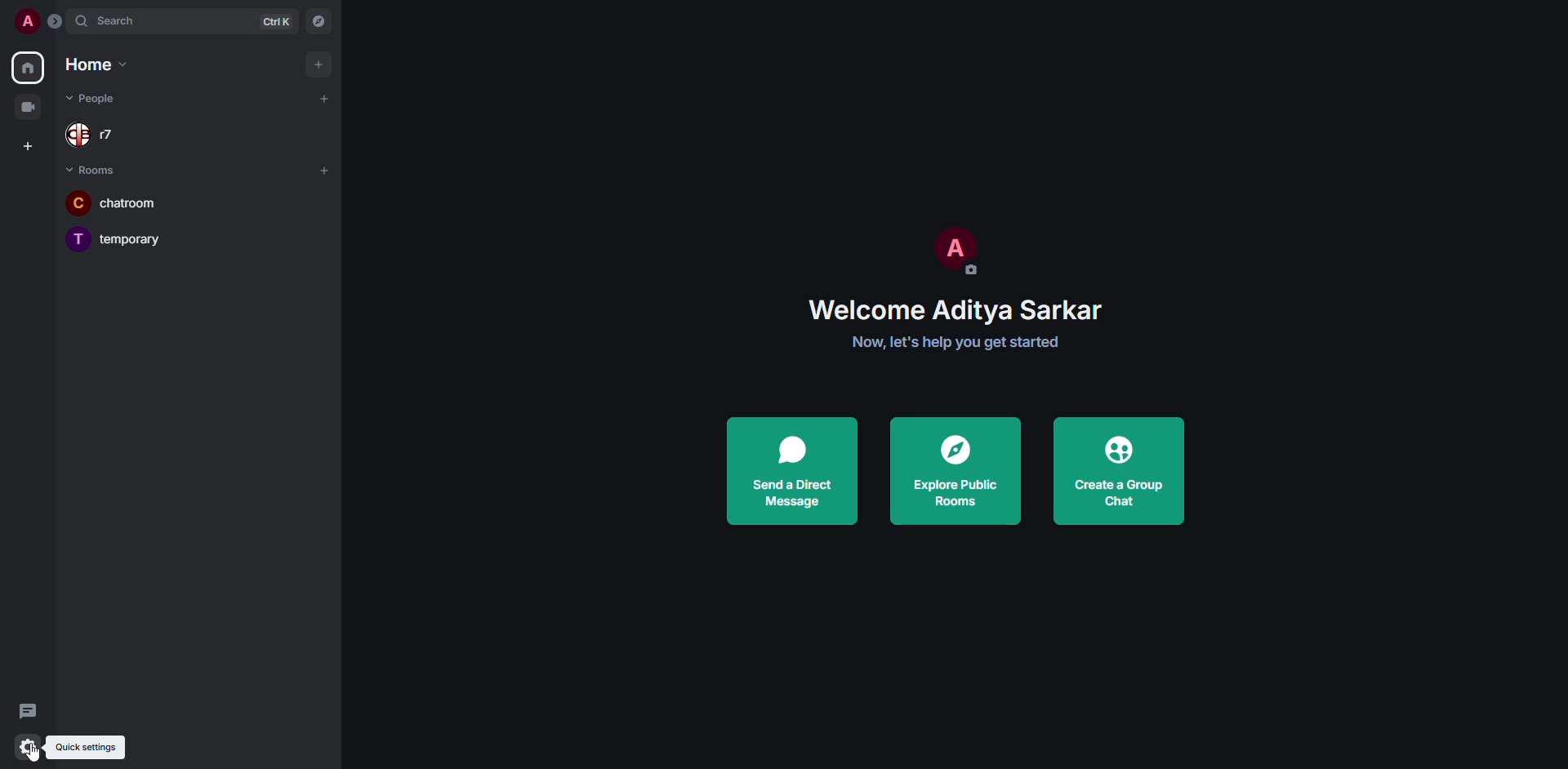 This screenshot has width=1568, height=769. I want to click on quick settings, so click(85, 746).